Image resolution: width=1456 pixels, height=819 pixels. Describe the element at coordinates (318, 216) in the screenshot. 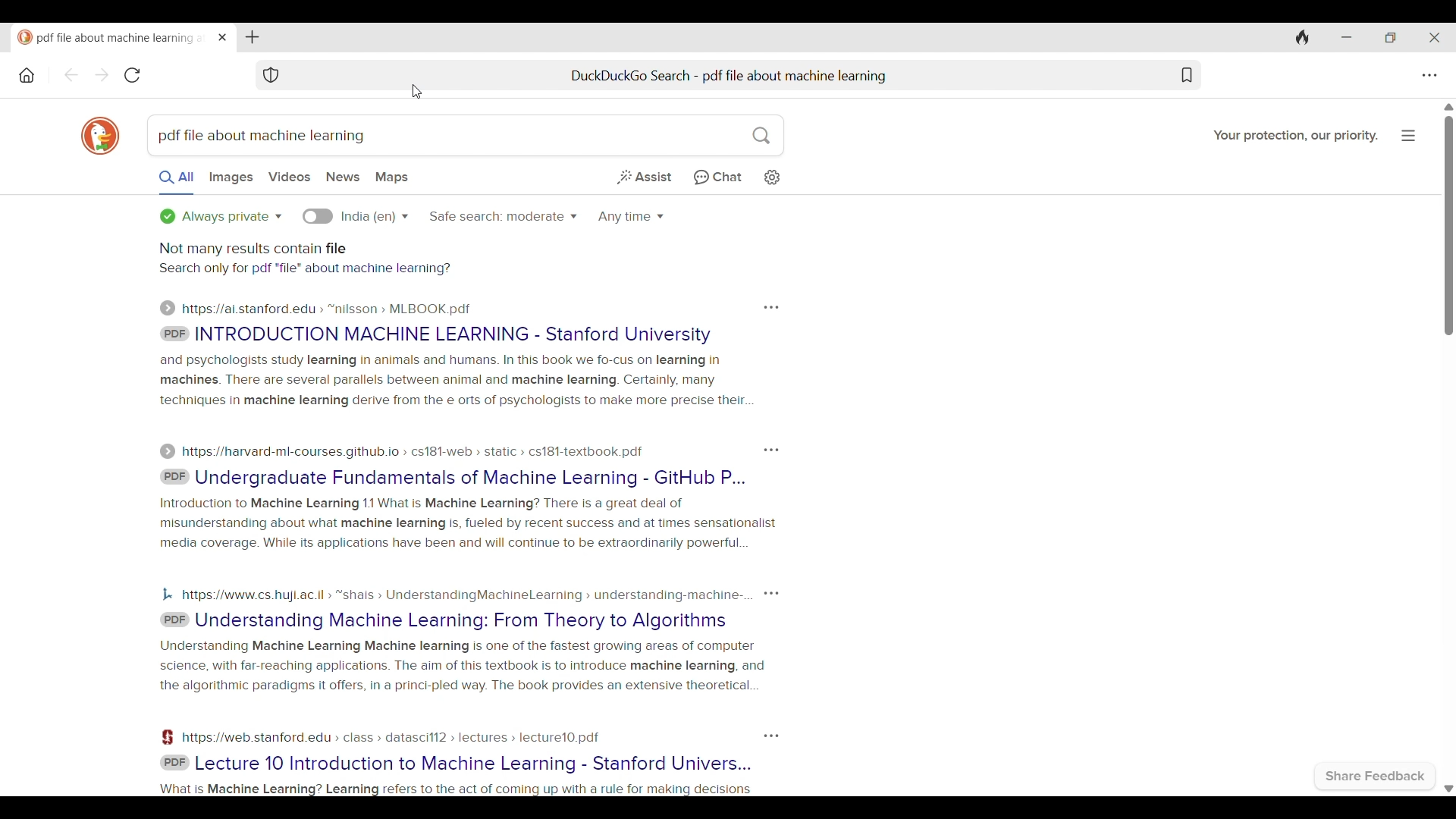

I see `Turn on language specific search` at that location.